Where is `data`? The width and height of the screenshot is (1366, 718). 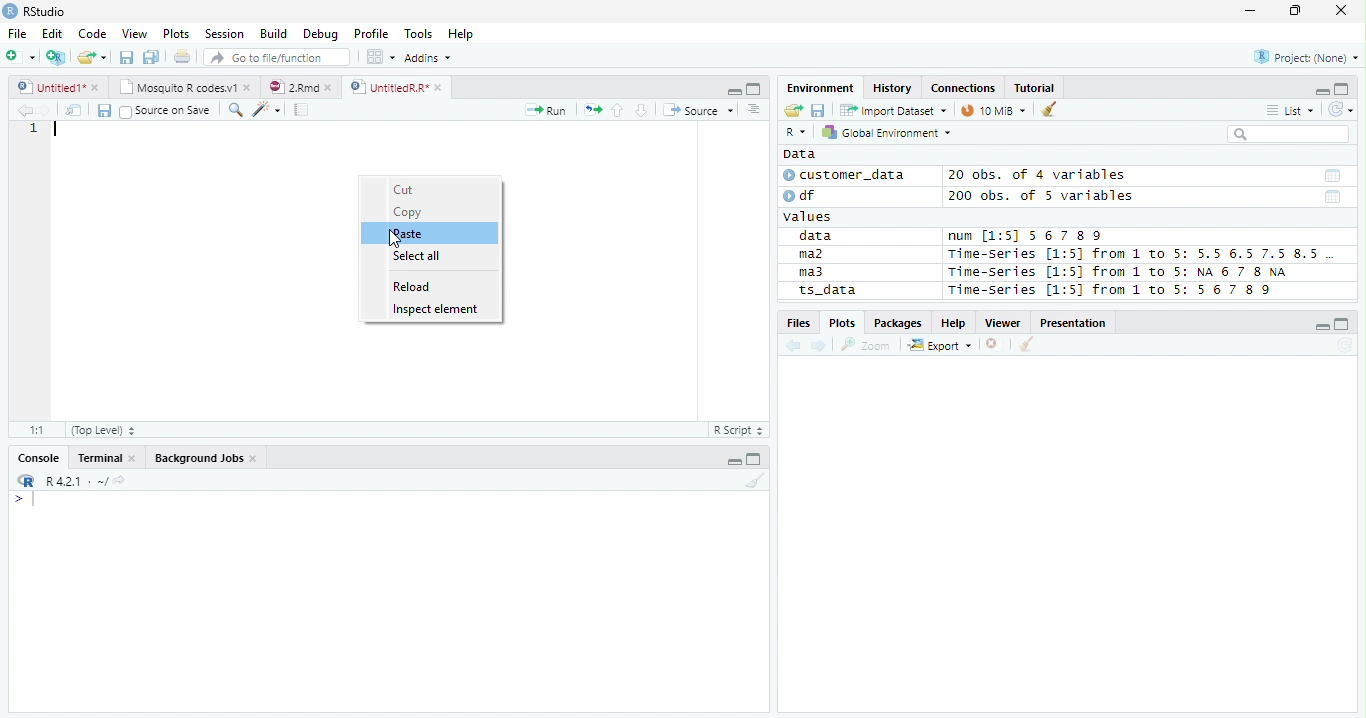 data is located at coordinates (819, 237).